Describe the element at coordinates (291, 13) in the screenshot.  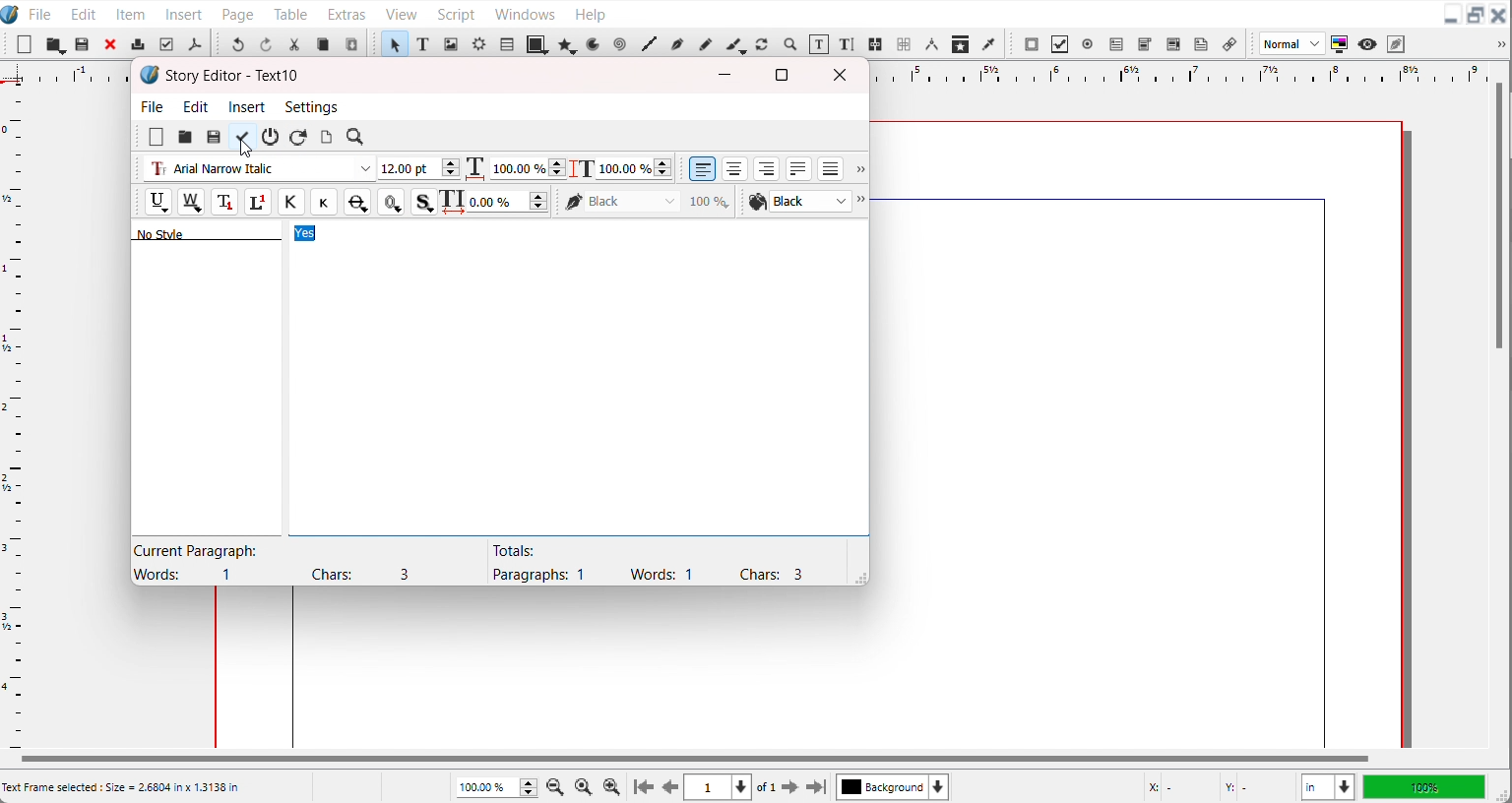
I see `Table` at that location.